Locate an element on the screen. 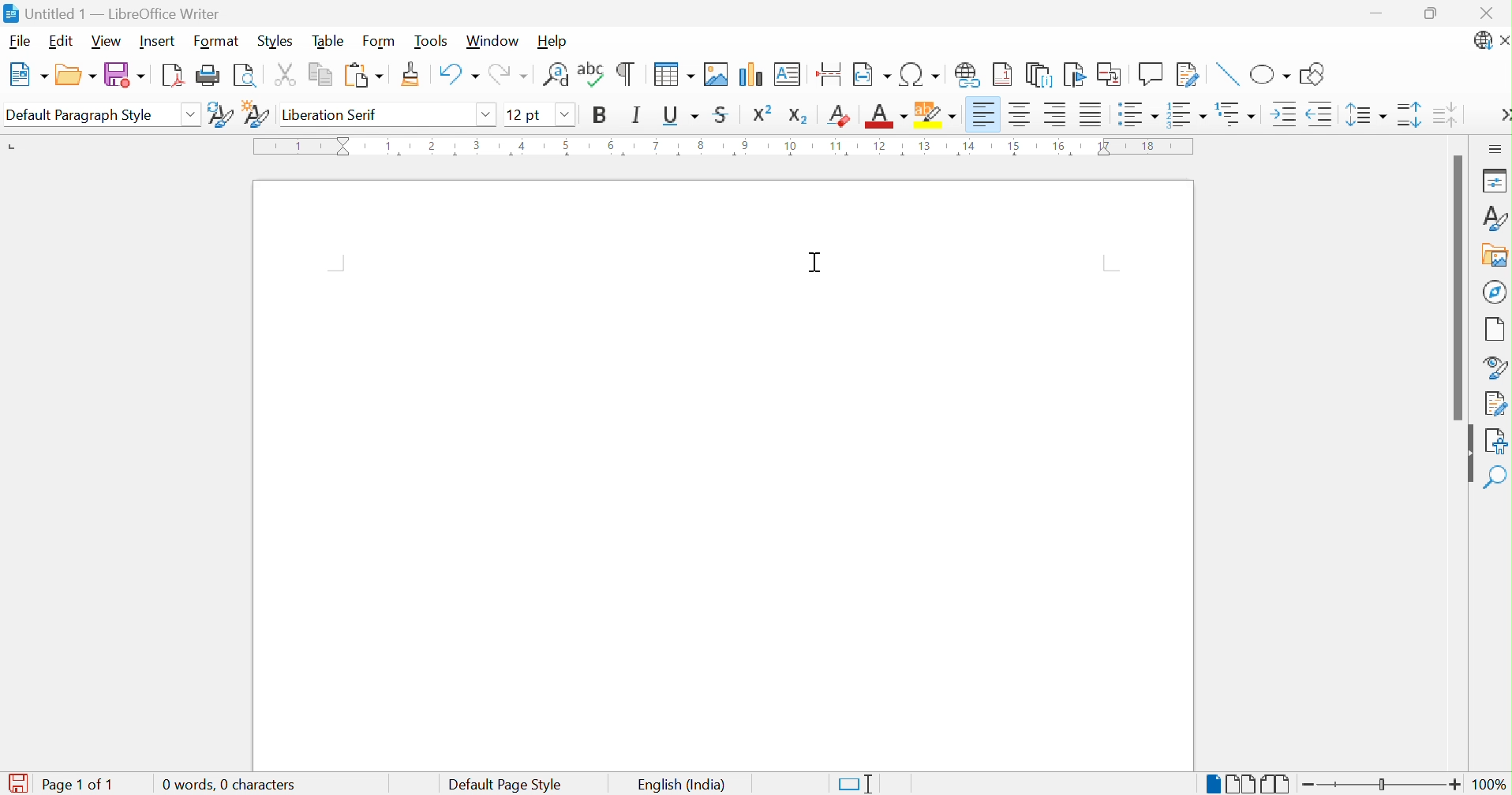  Clone formatting is located at coordinates (411, 73).